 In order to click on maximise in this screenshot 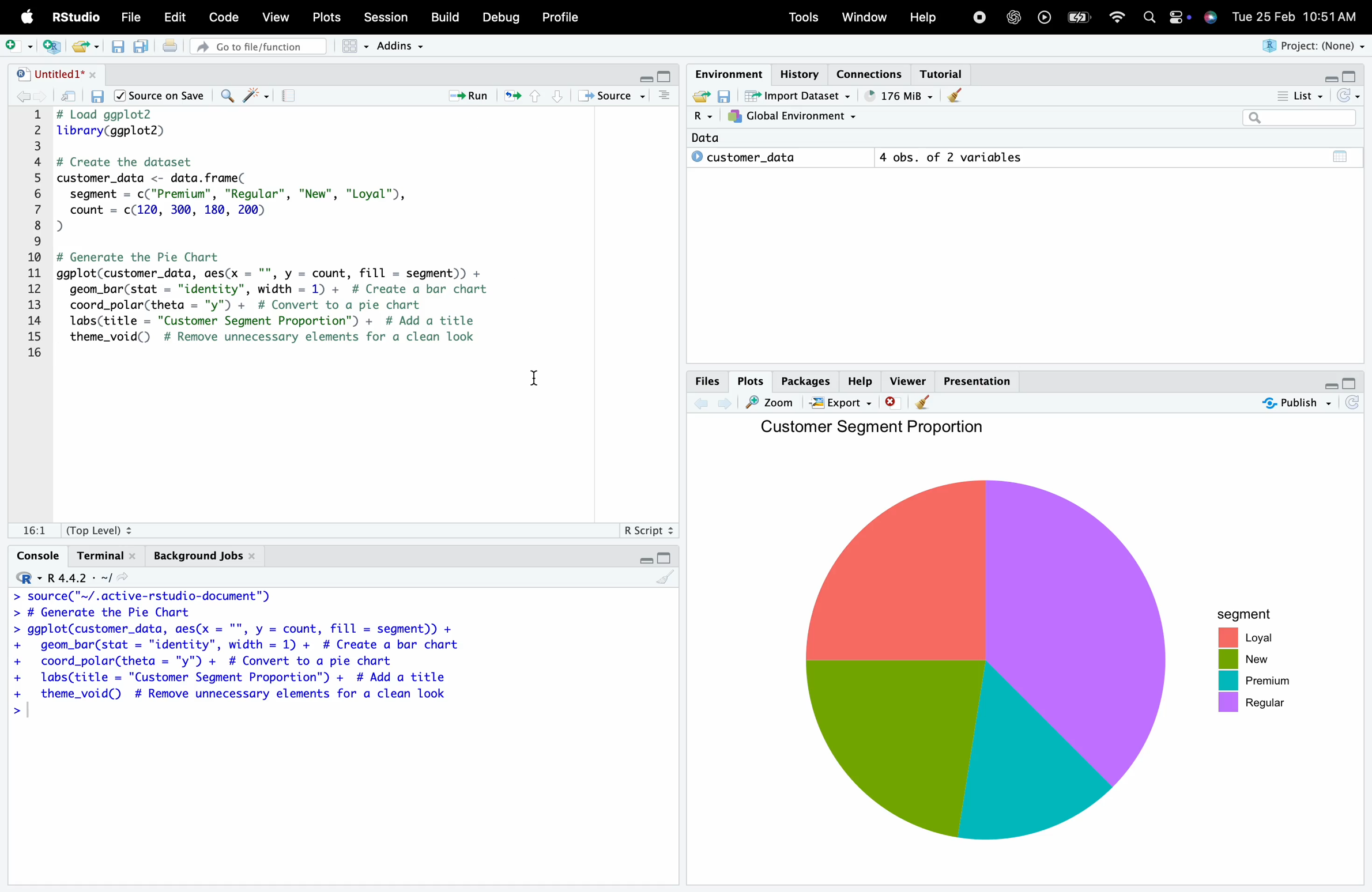, I will do `click(1352, 383)`.